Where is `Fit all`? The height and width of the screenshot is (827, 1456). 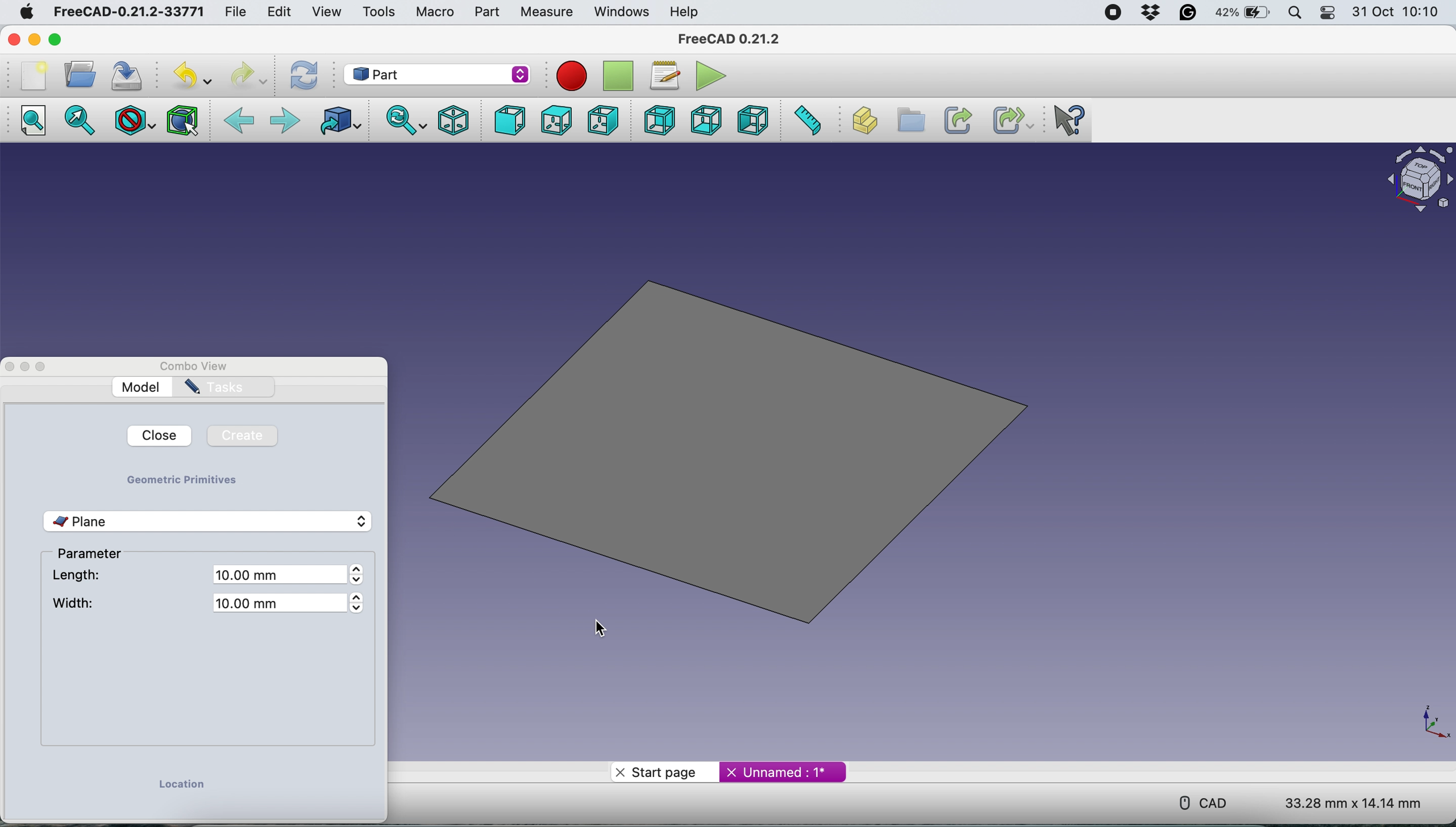
Fit all is located at coordinates (32, 118).